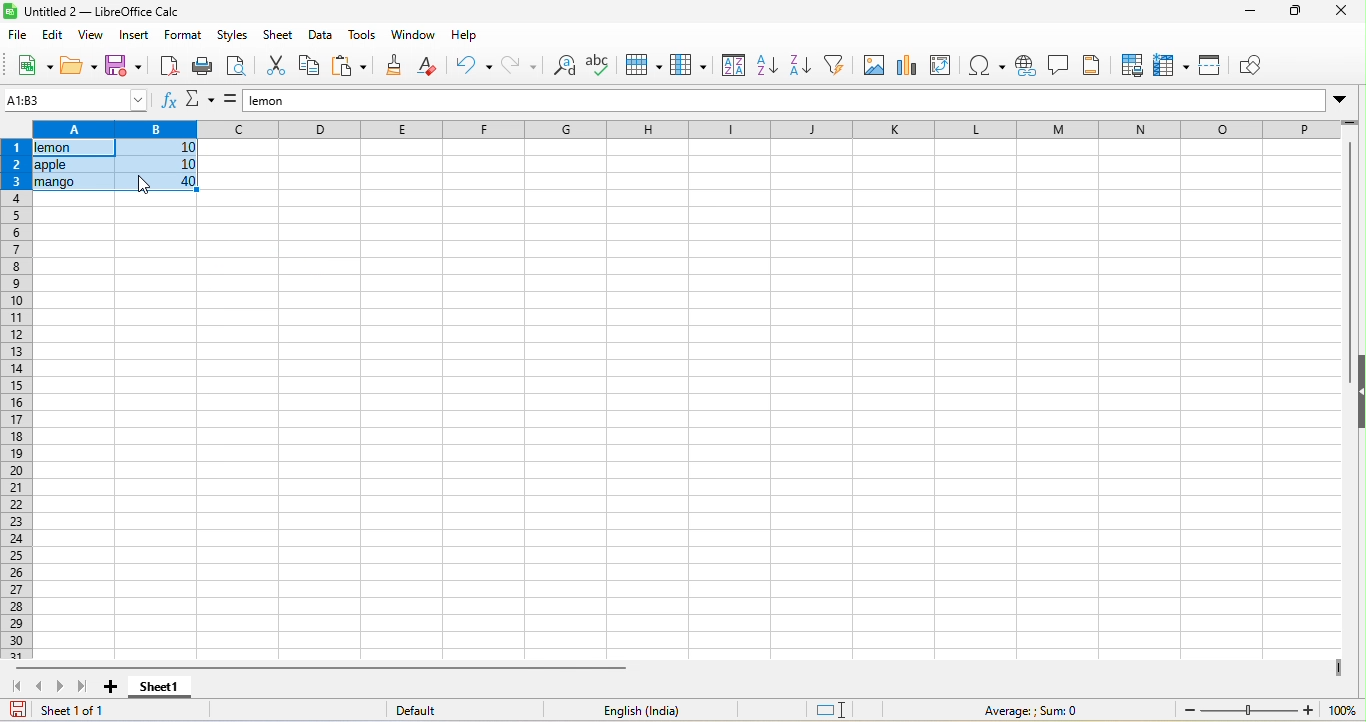 Image resolution: width=1366 pixels, height=722 pixels. What do you see at coordinates (364, 34) in the screenshot?
I see `tools` at bounding box center [364, 34].